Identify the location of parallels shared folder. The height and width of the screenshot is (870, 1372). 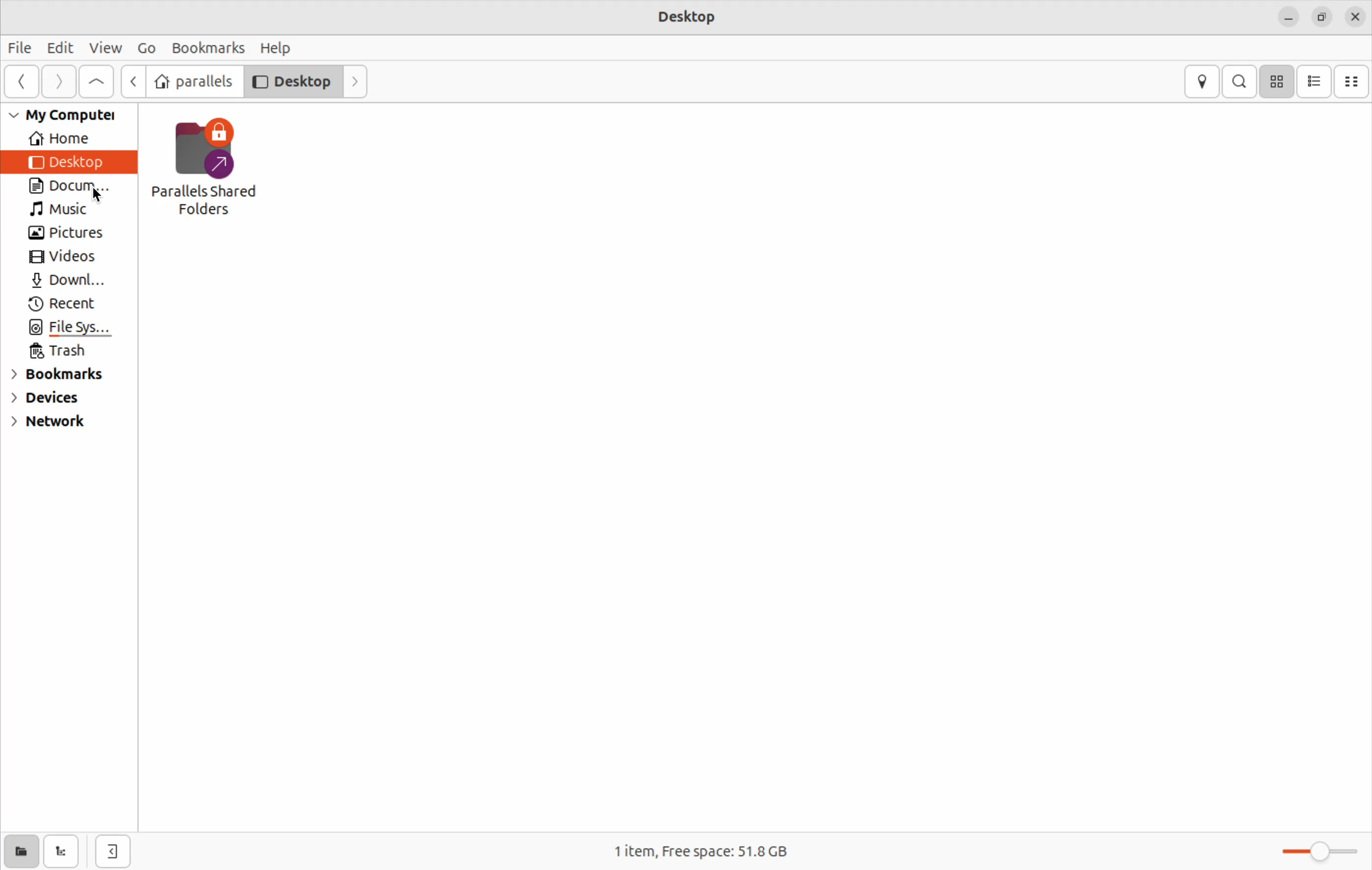
(210, 167).